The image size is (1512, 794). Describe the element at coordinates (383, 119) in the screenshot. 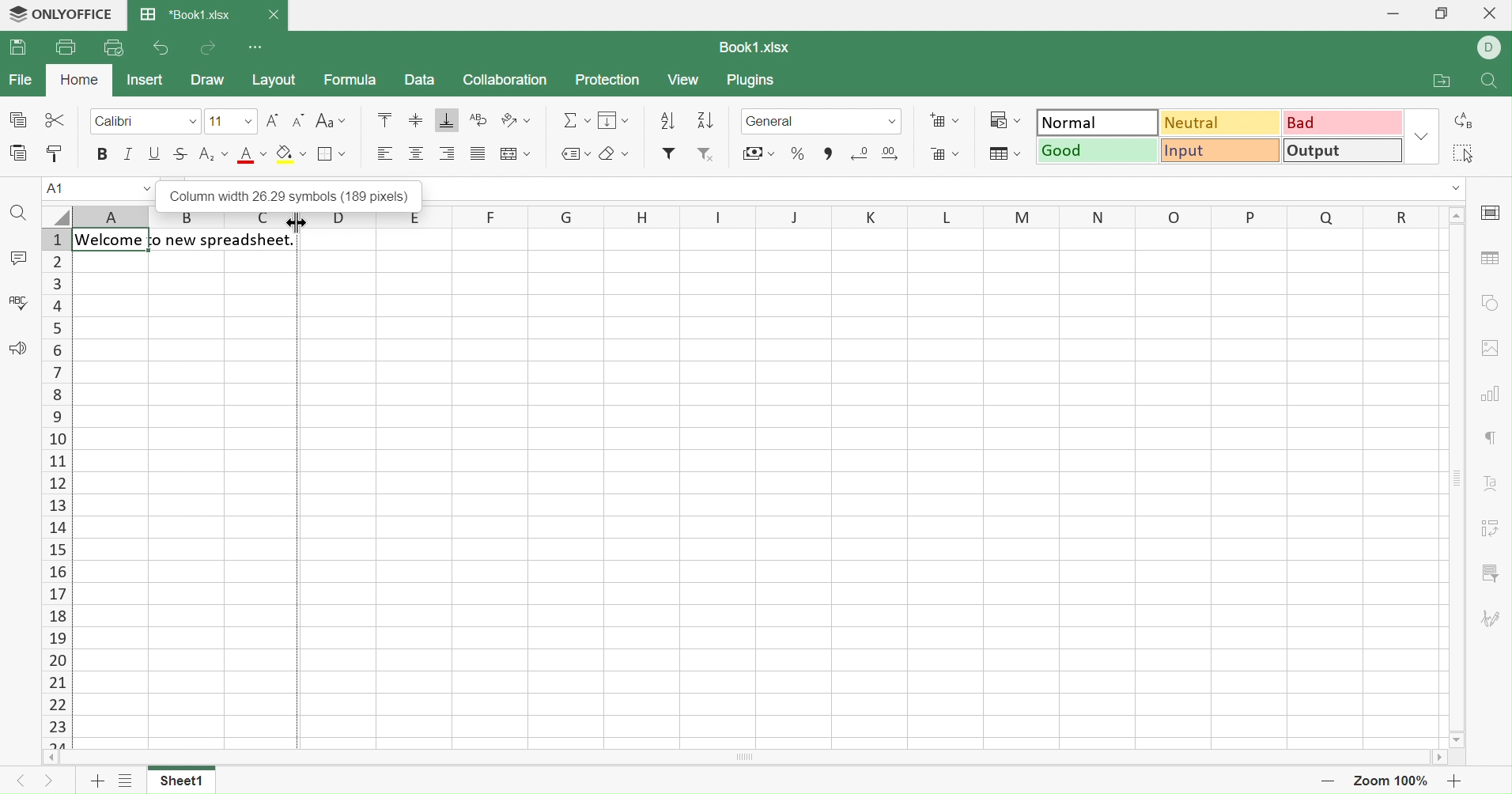

I see `Align Top` at that location.